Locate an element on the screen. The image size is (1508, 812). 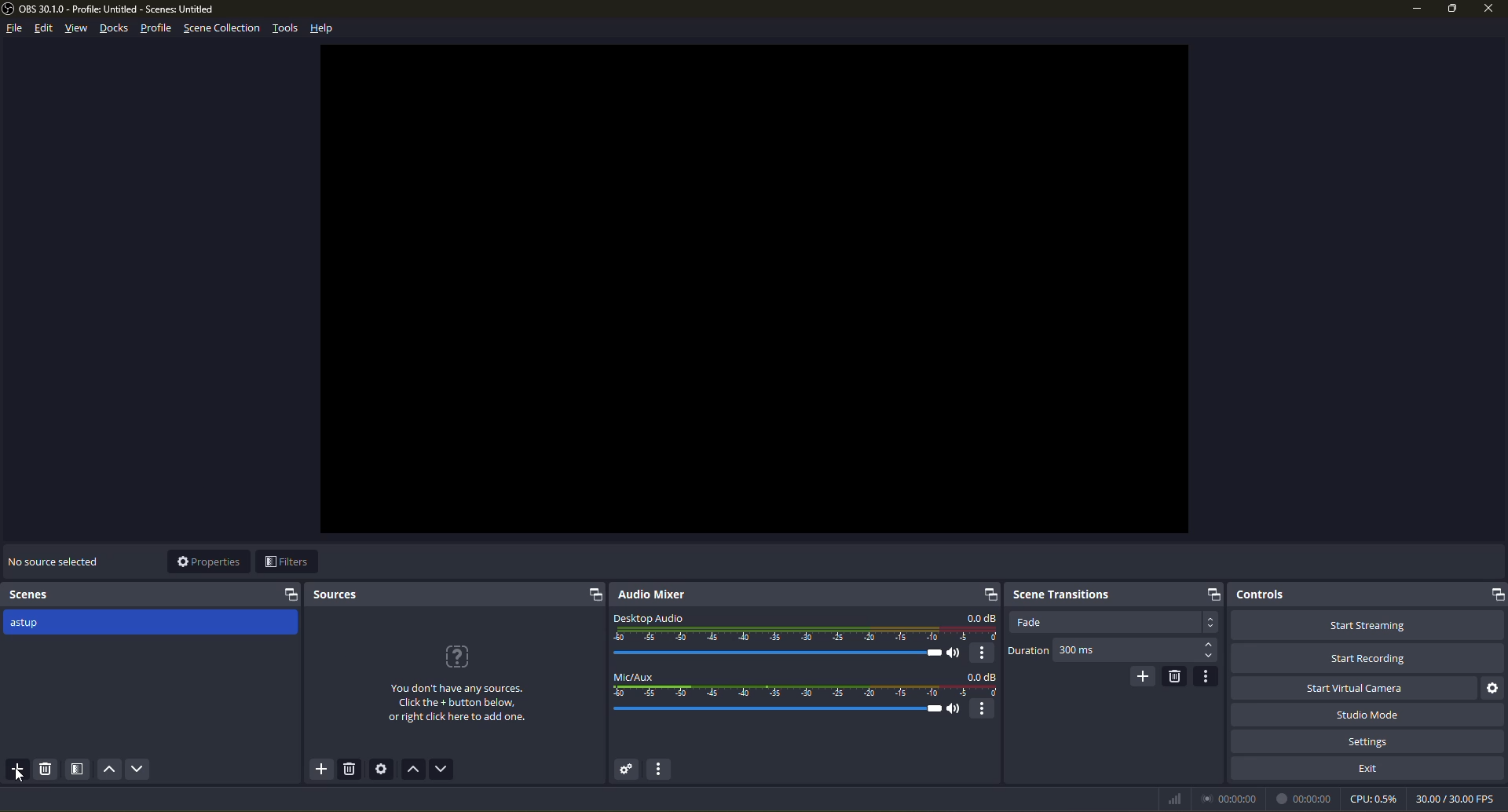
mute is located at coordinates (955, 708).